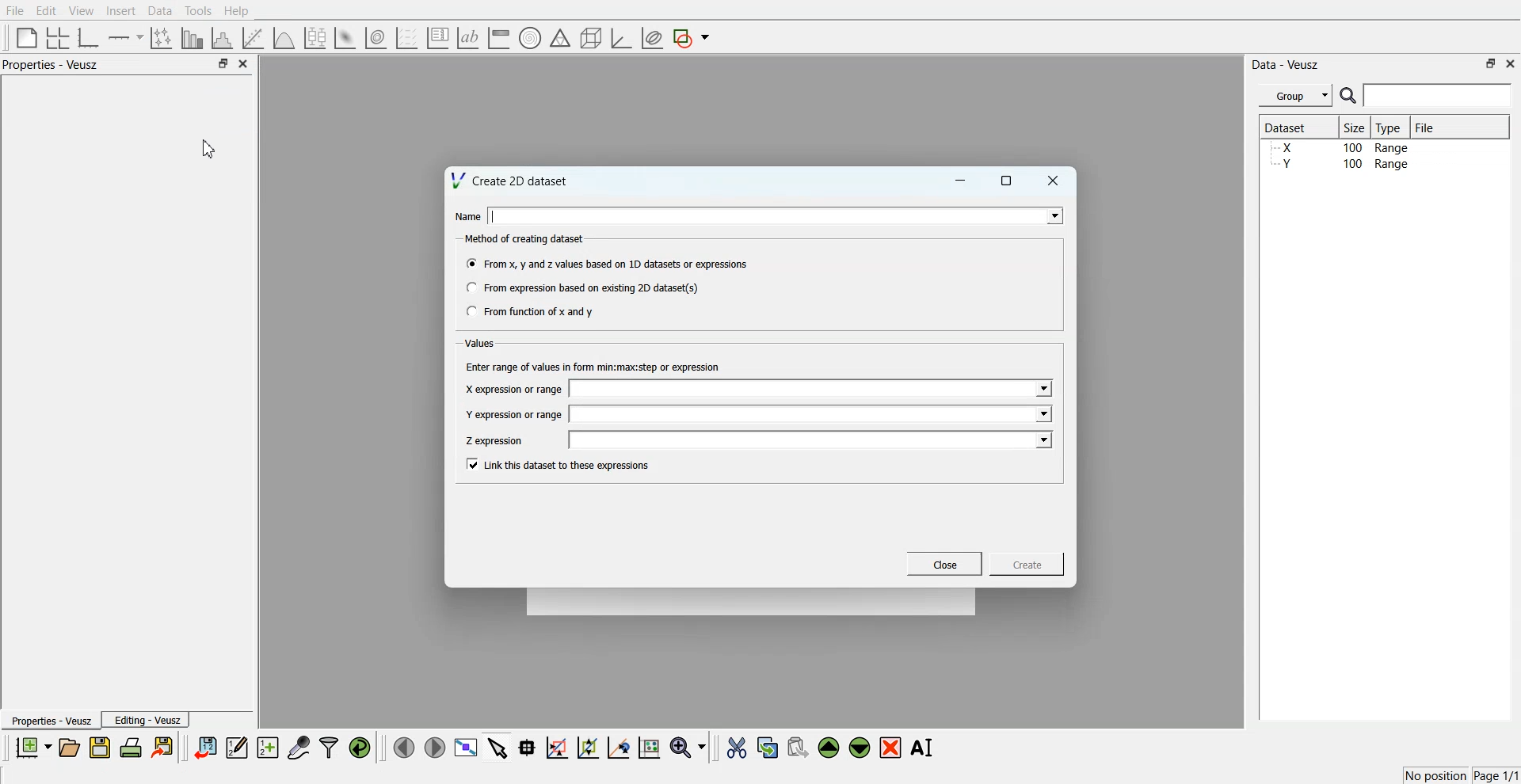 The height and width of the screenshot is (784, 1521). I want to click on Dataset, so click(1293, 127).